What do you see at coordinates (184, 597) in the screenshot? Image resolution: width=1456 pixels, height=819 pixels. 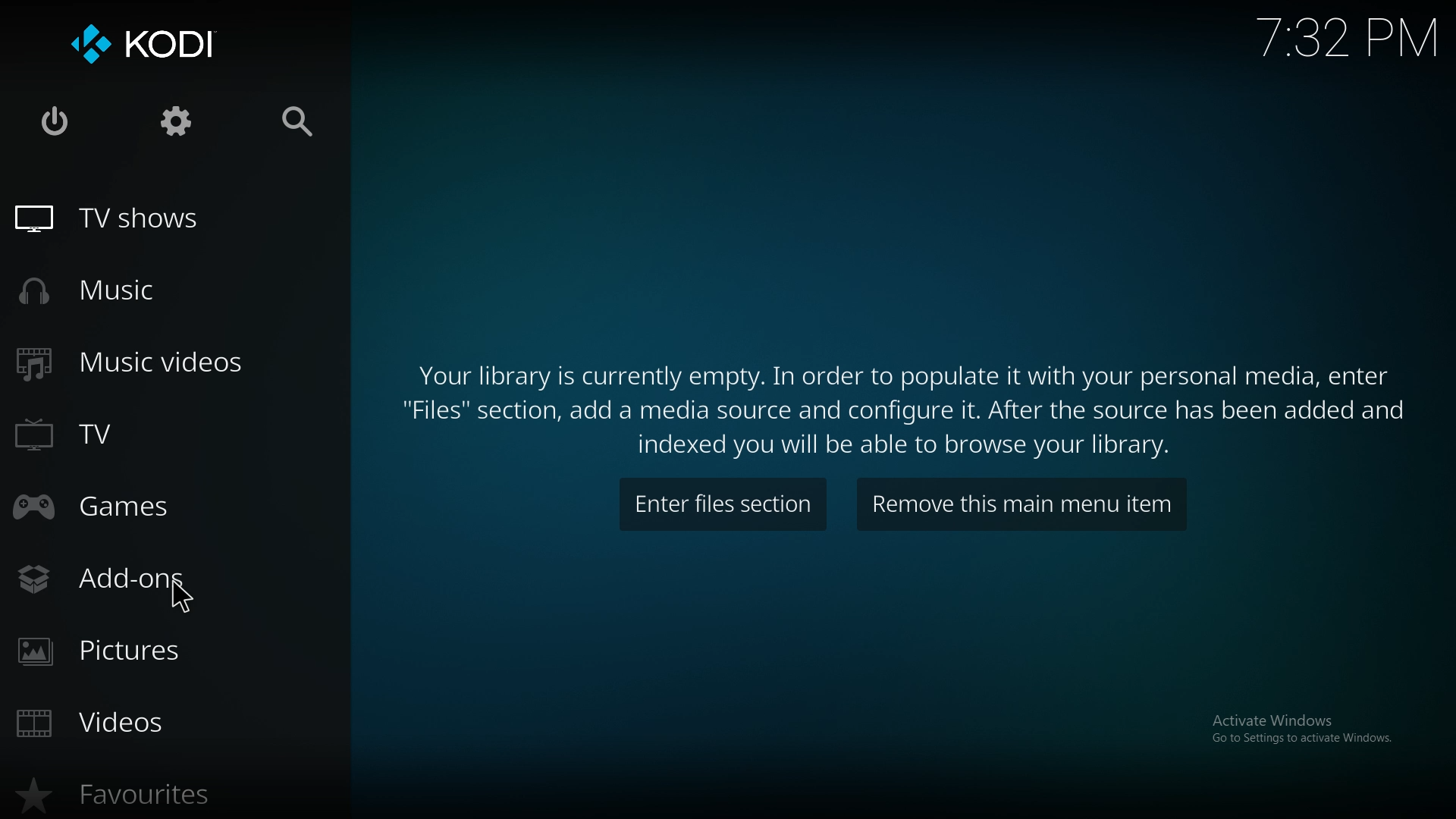 I see `cursor` at bounding box center [184, 597].